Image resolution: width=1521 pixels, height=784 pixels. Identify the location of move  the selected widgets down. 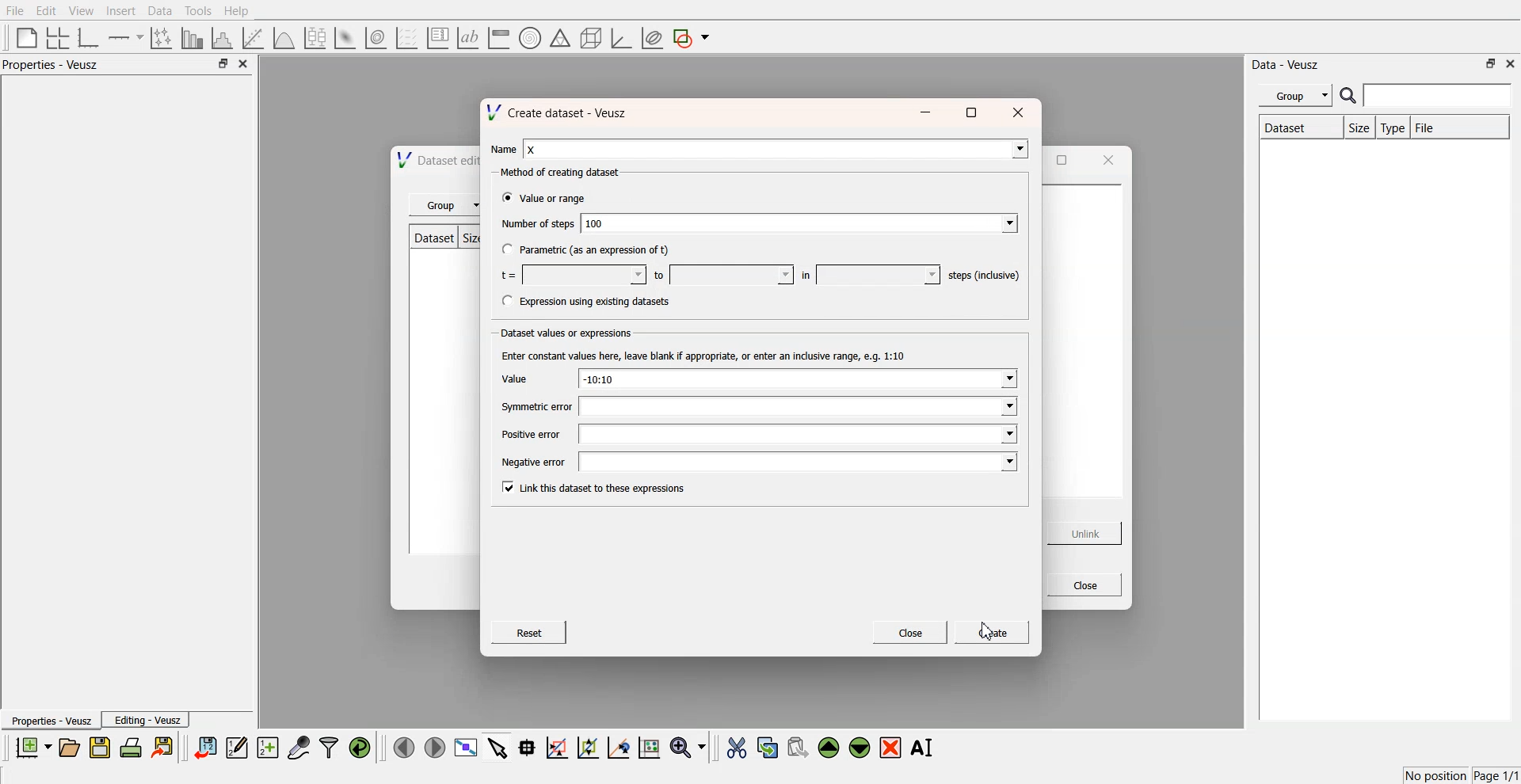
(860, 746).